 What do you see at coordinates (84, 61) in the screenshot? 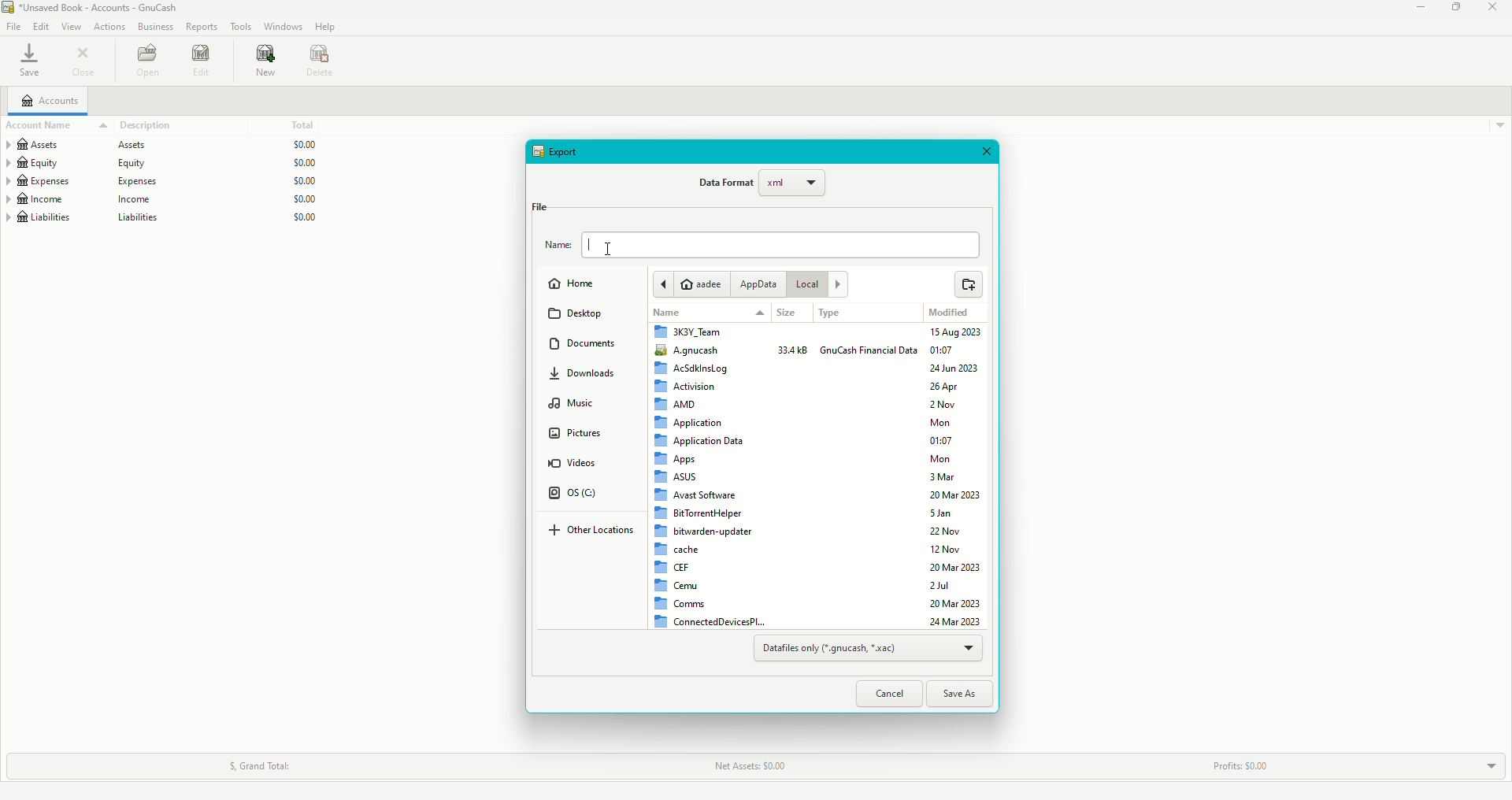
I see `Close` at bounding box center [84, 61].